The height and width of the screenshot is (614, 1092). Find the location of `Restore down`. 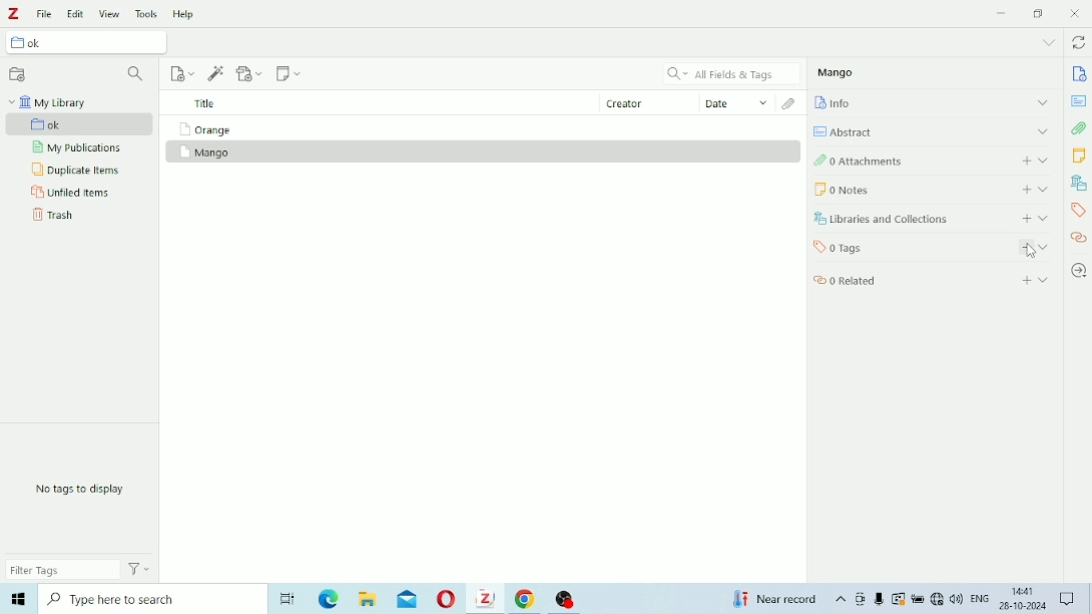

Restore down is located at coordinates (1039, 15).